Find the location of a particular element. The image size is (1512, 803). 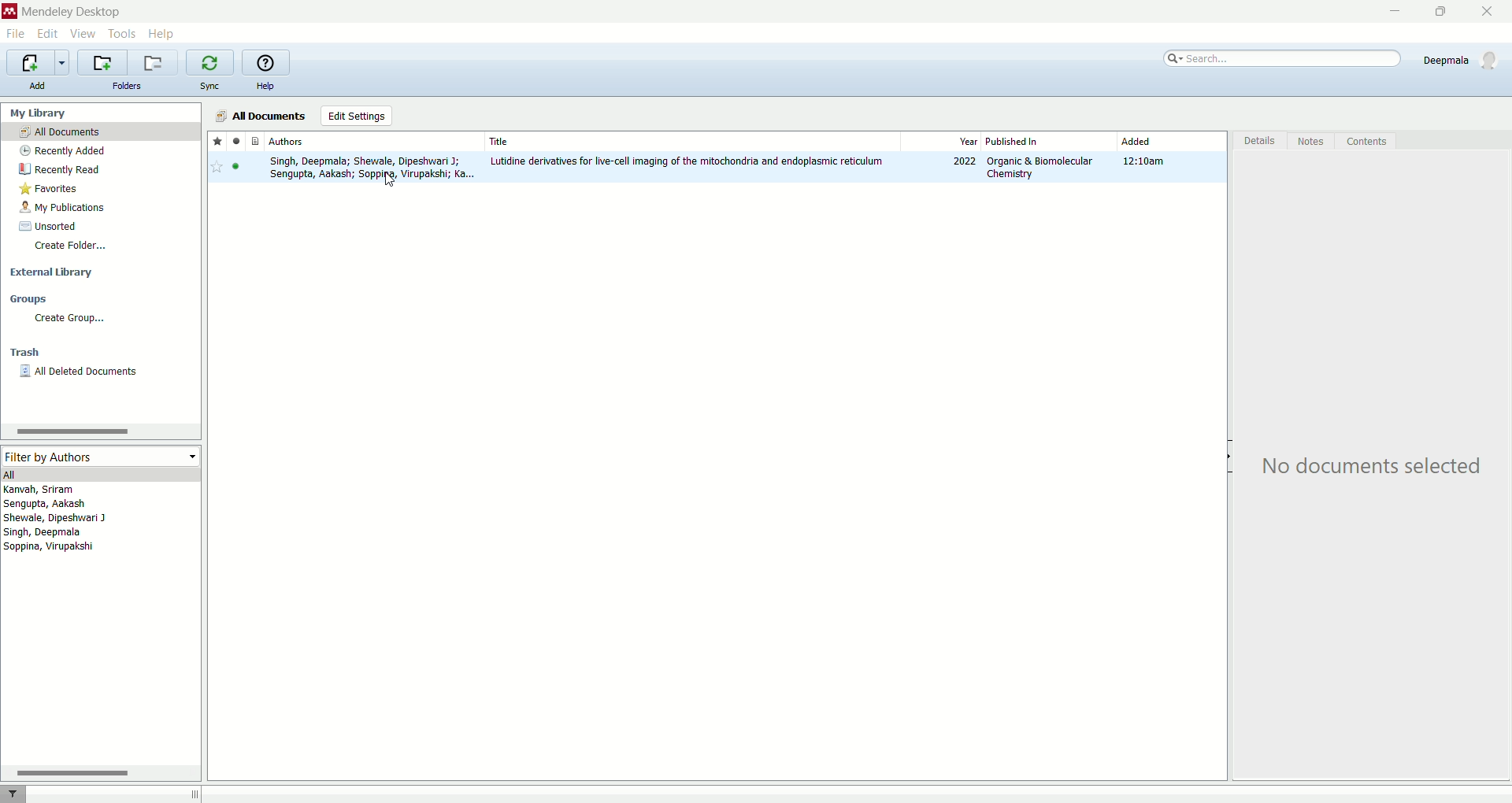

all is located at coordinates (101, 474).